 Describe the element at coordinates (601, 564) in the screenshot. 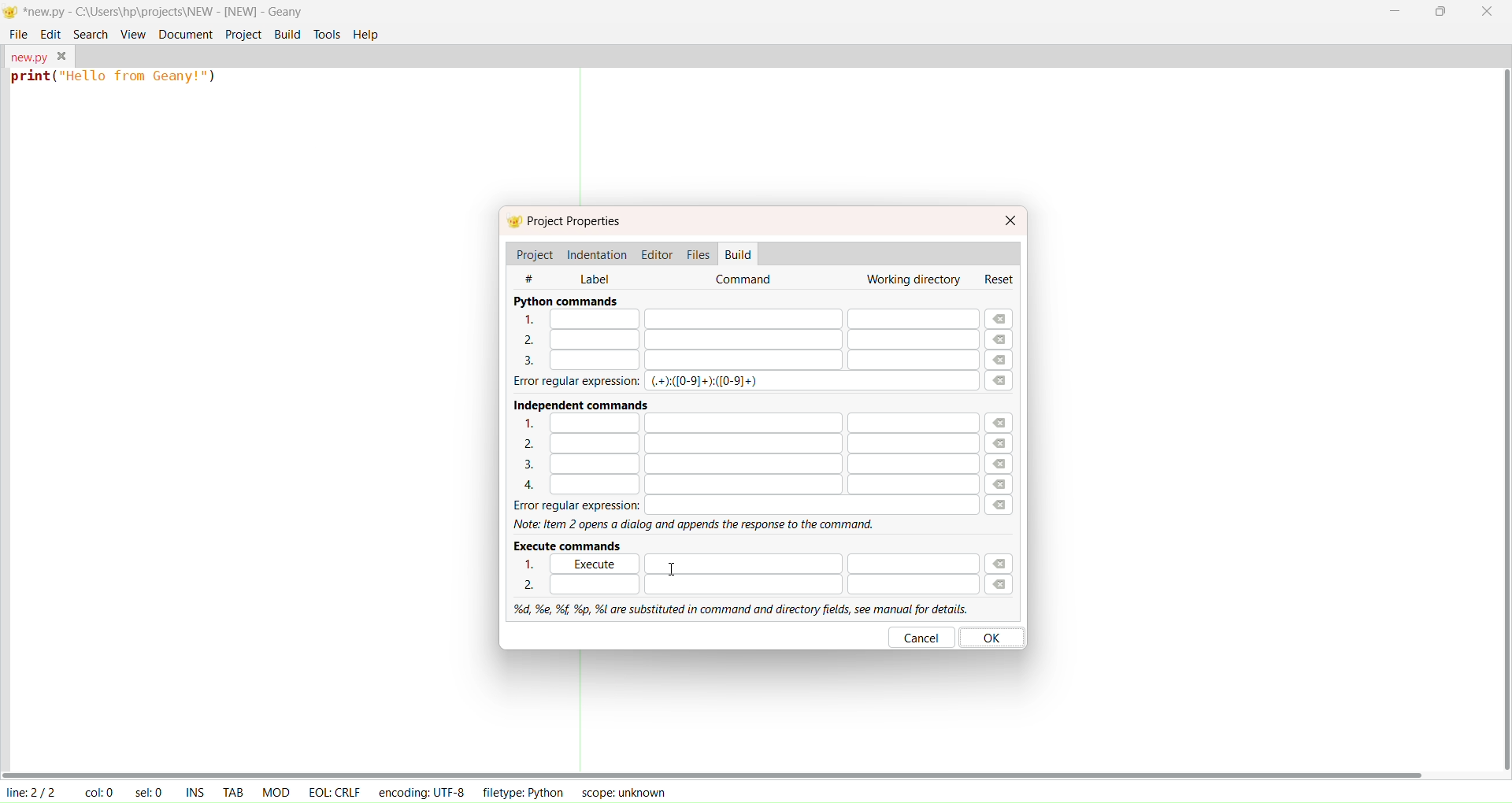

I see `execute` at that location.